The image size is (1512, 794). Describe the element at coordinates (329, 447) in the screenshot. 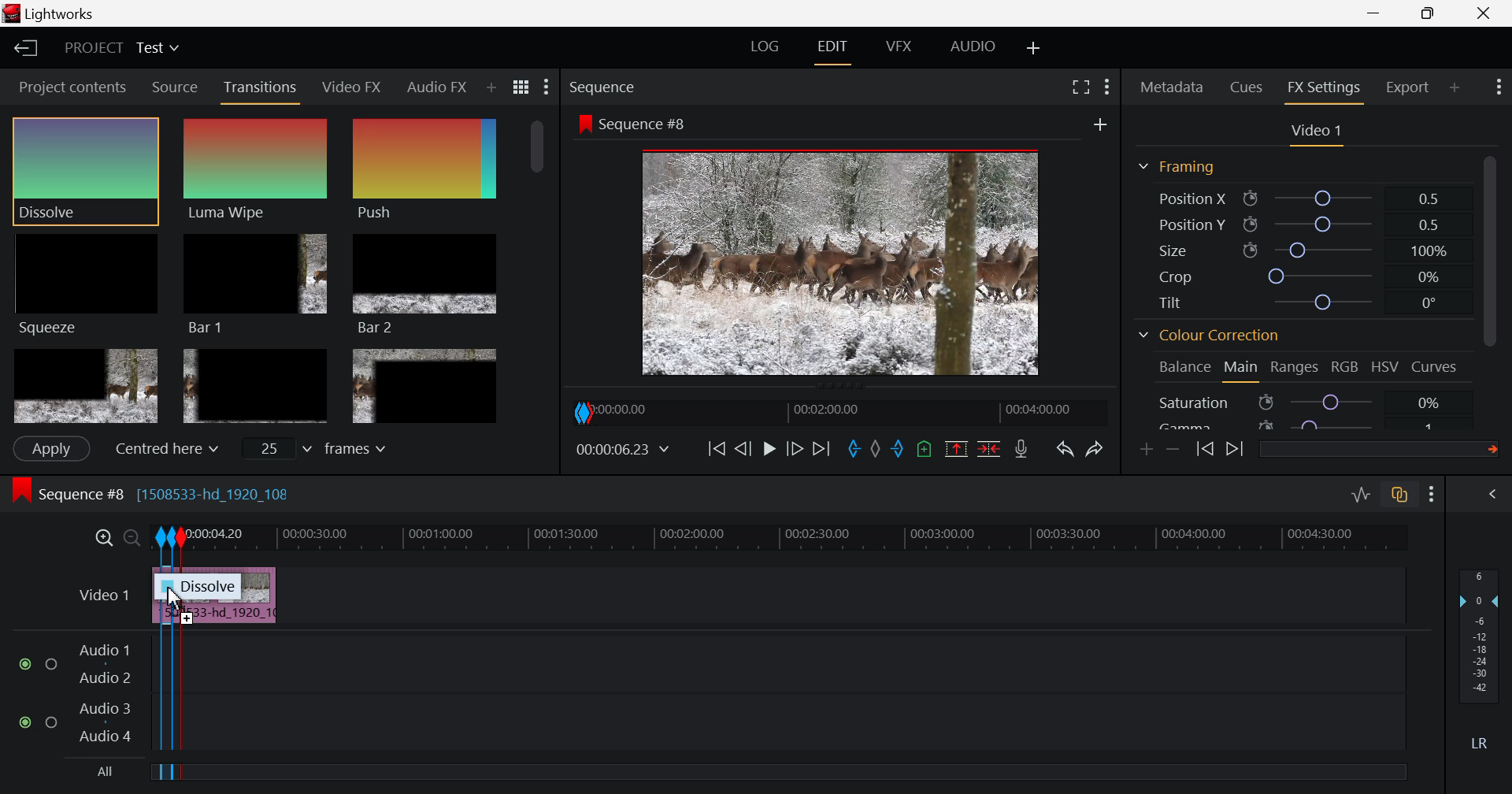

I see `frames input field` at that location.